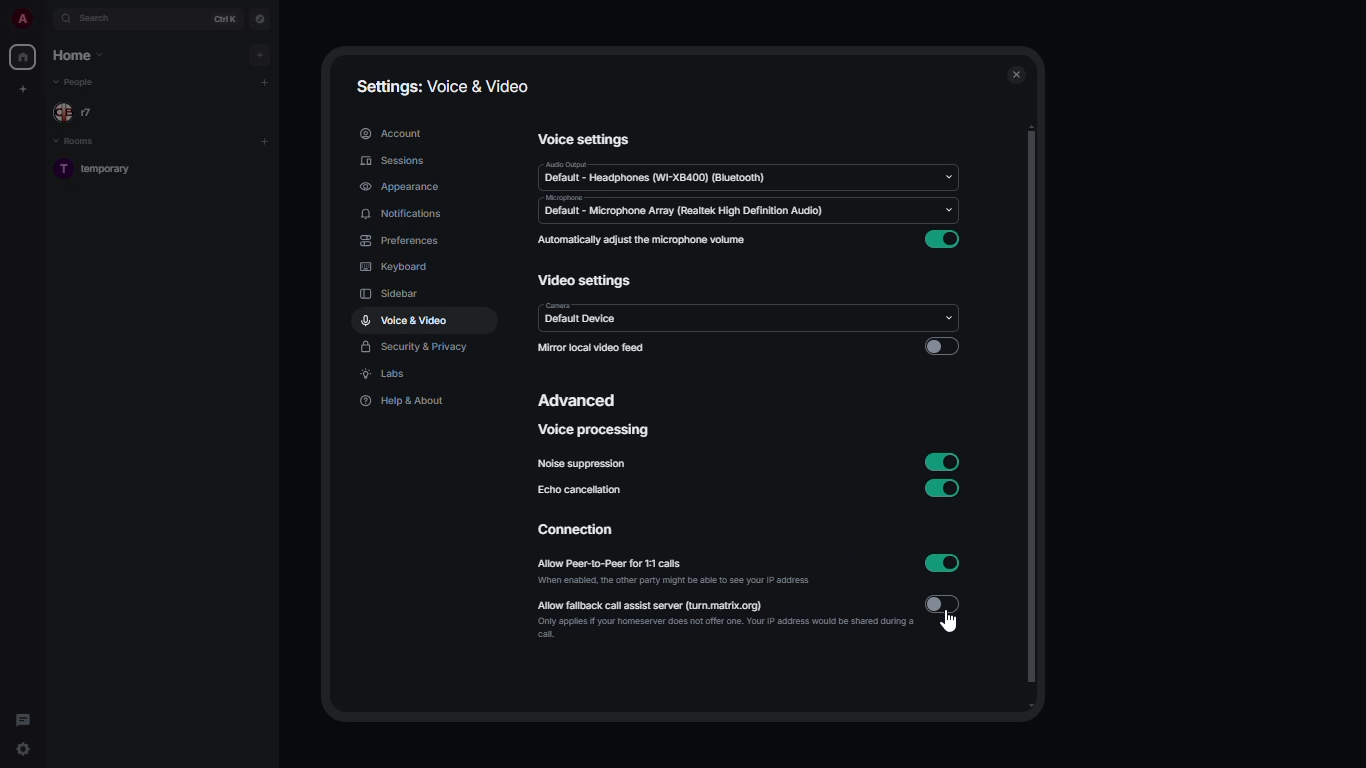  Describe the element at coordinates (944, 564) in the screenshot. I see `enabled` at that location.